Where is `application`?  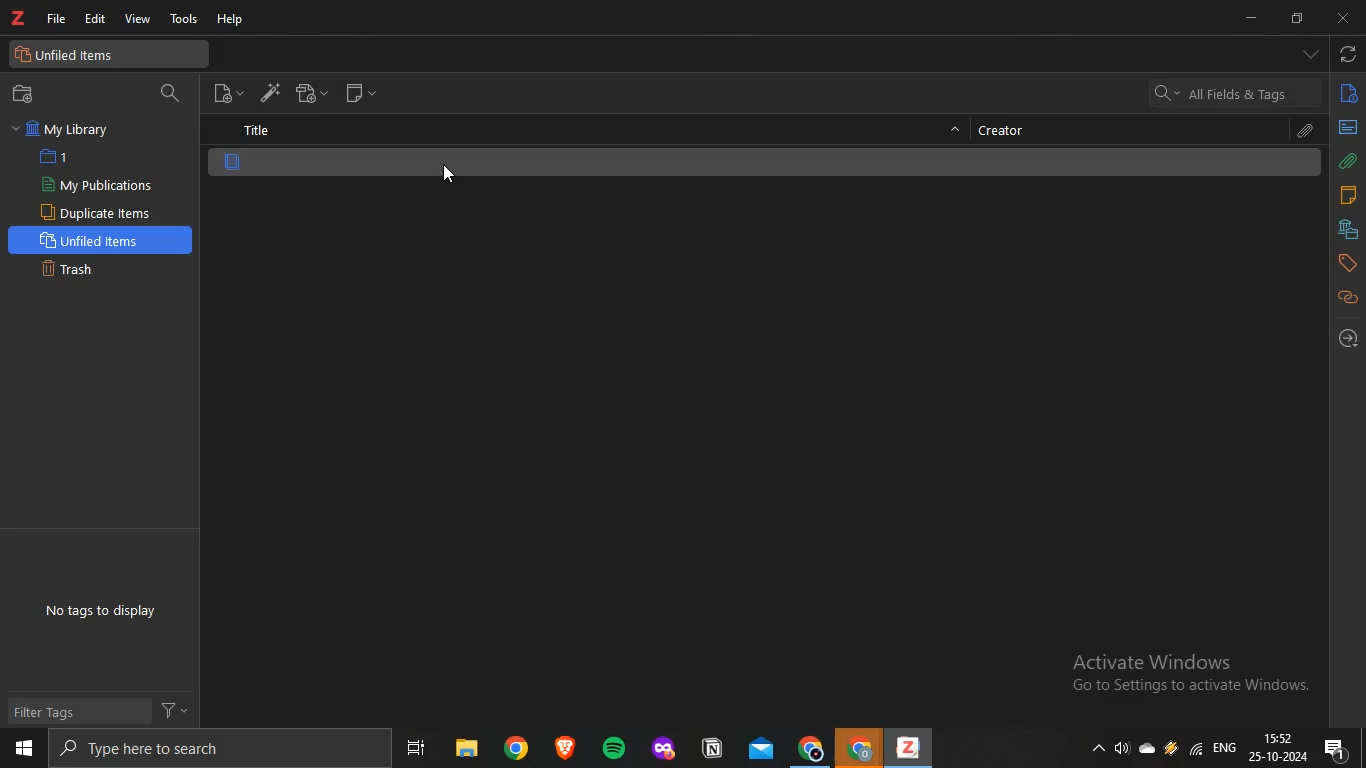 application is located at coordinates (666, 749).